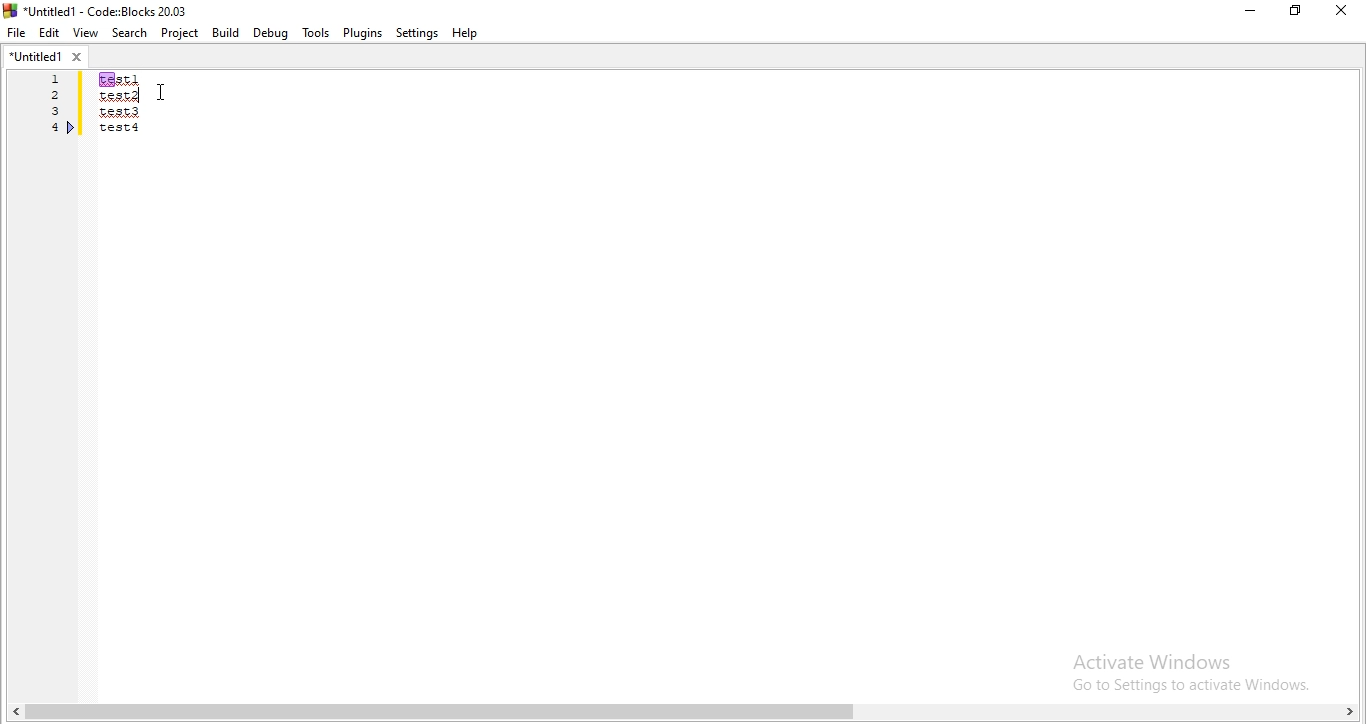 This screenshot has width=1366, height=724. What do you see at coordinates (1342, 10) in the screenshot?
I see `Close` at bounding box center [1342, 10].